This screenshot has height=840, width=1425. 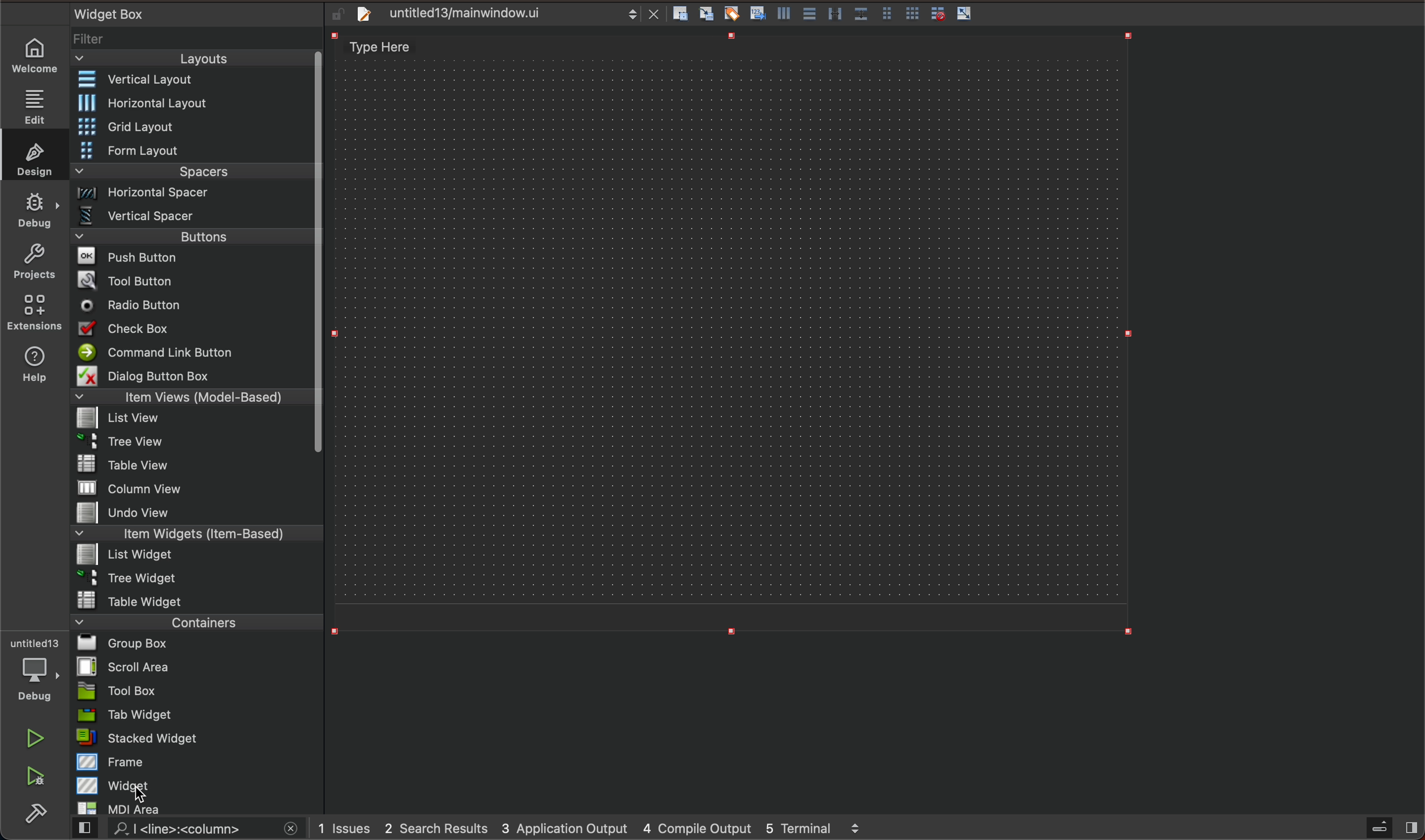 What do you see at coordinates (972, 15) in the screenshot?
I see `` at bounding box center [972, 15].